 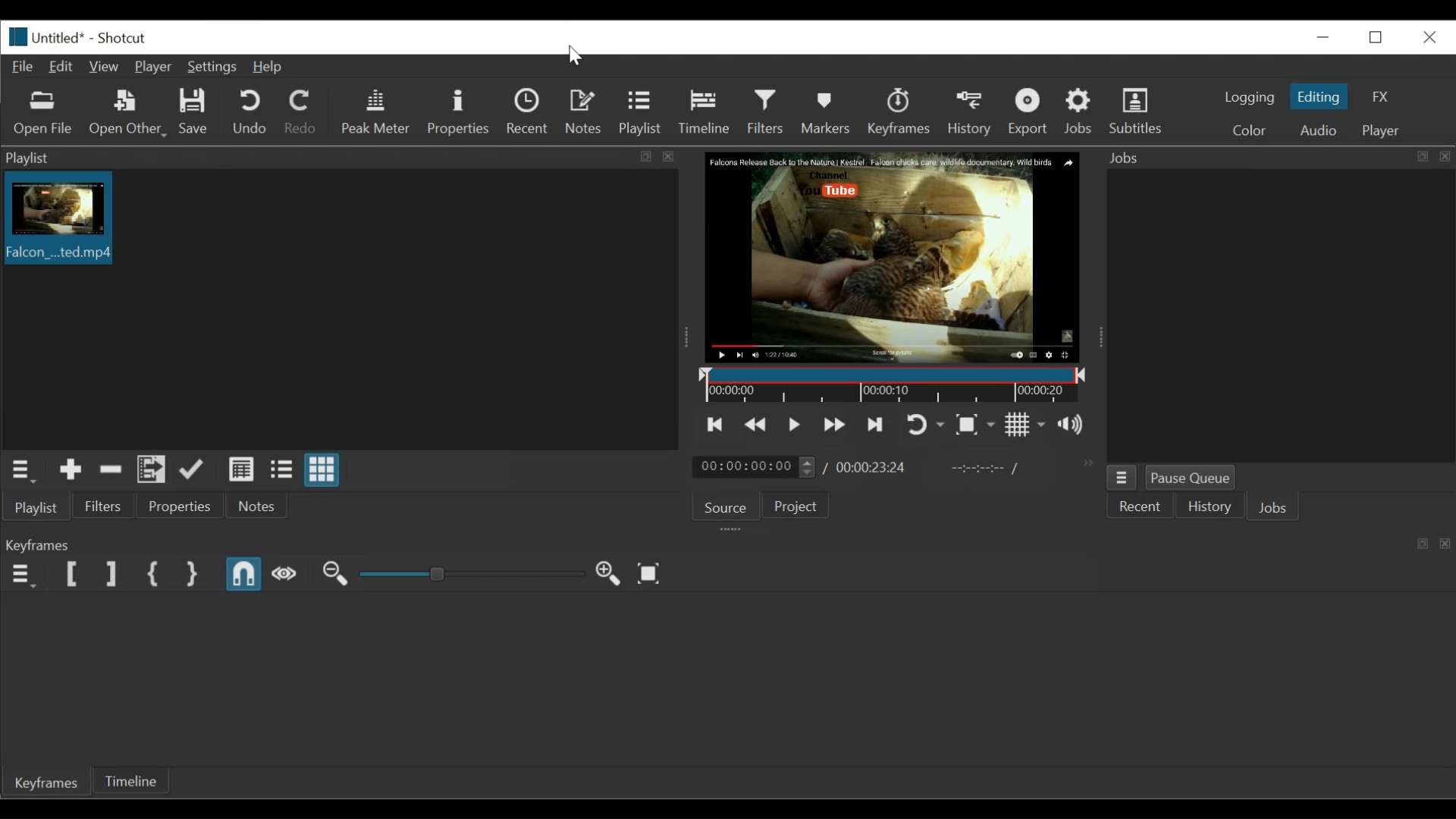 What do you see at coordinates (1081, 114) in the screenshot?
I see `Jobs` at bounding box center [1081, 114].